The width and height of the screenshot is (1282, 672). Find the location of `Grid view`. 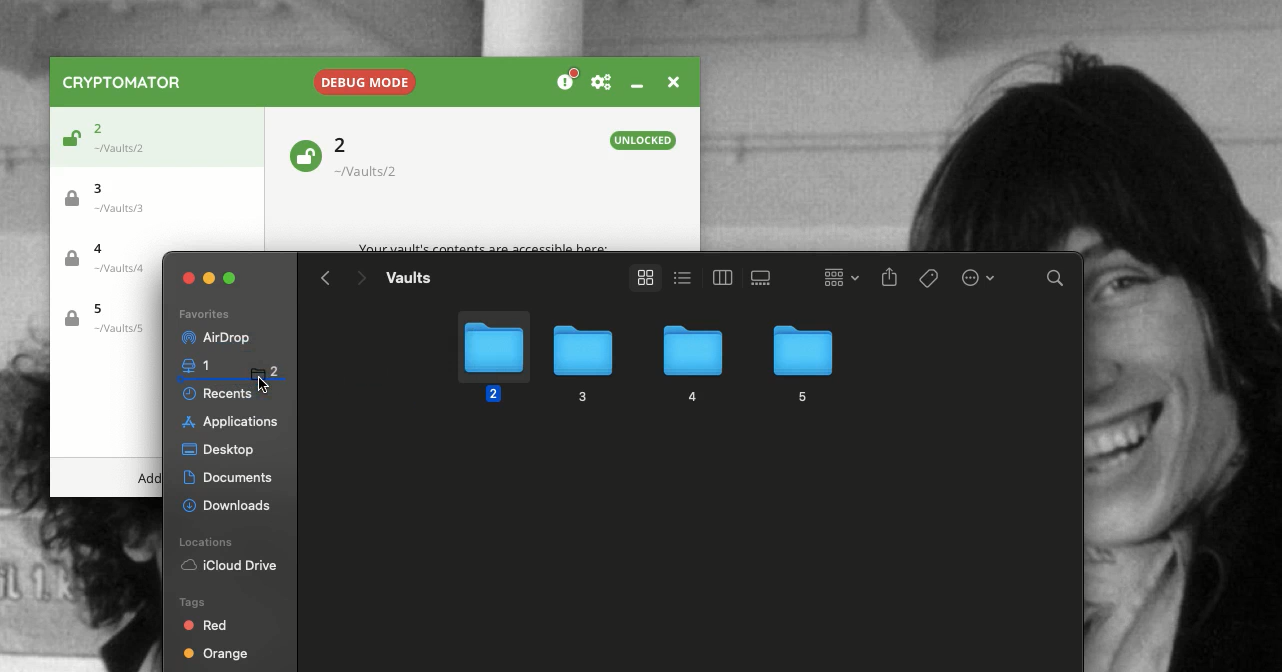

Grid view is located at coordinates (836, 276).